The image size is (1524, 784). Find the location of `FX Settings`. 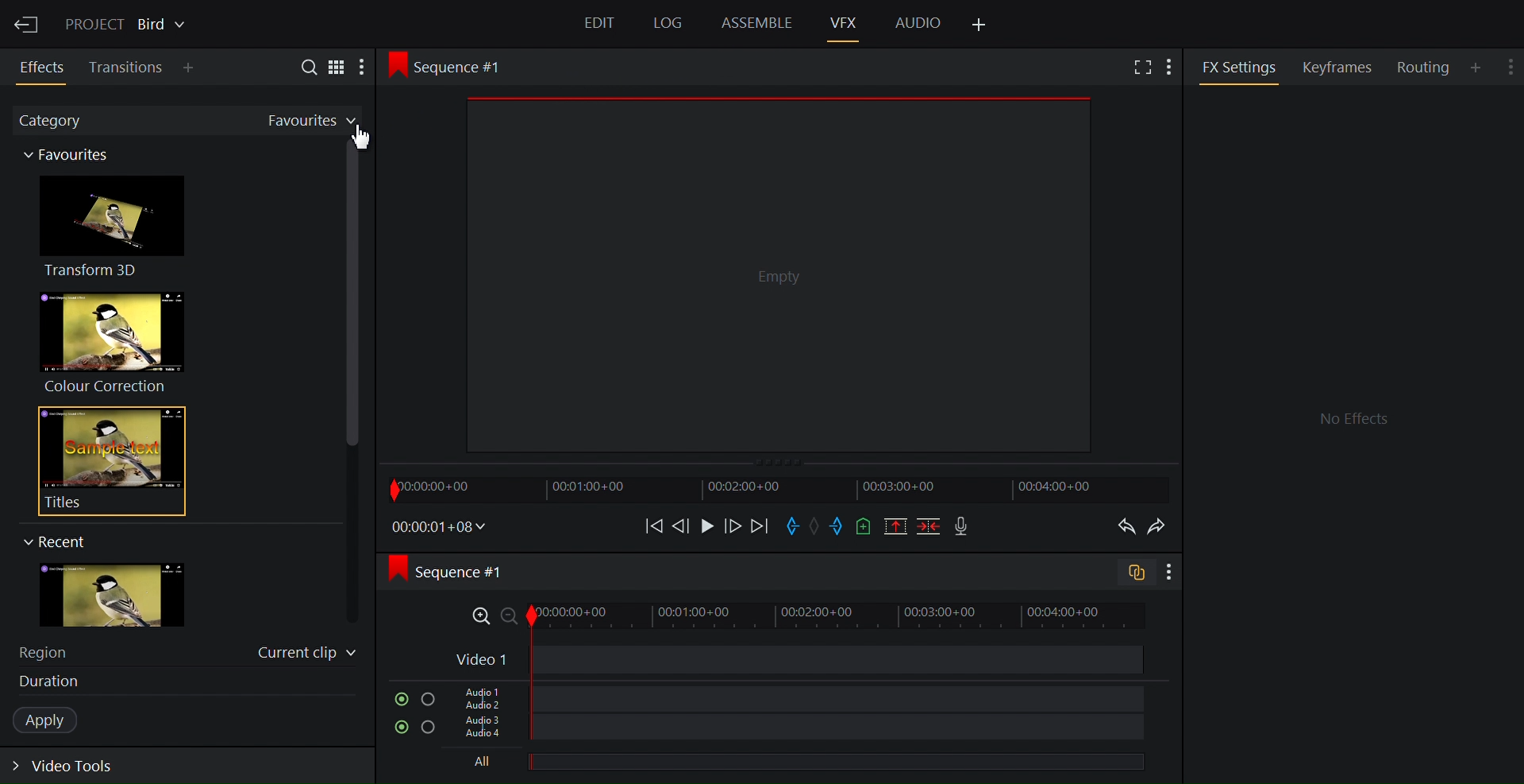

FX Settings is located at coordinates (1239, 67).